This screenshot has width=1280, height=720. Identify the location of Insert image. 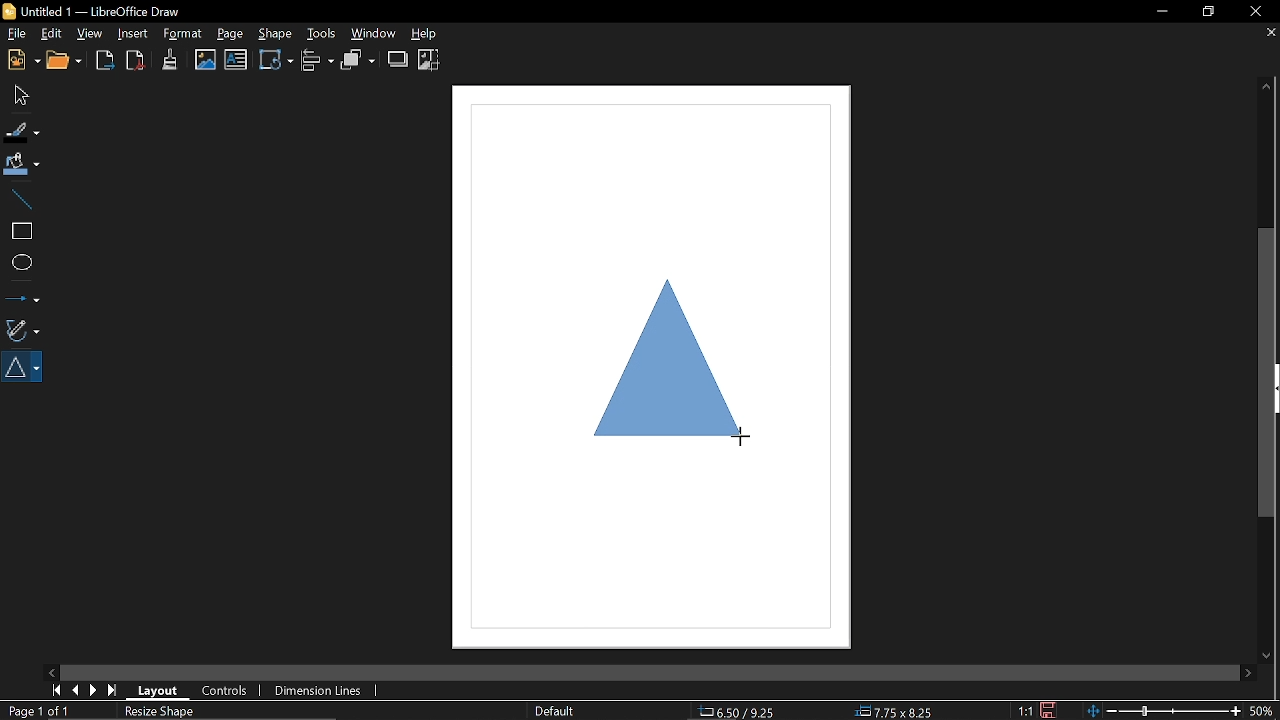
(206, 60).